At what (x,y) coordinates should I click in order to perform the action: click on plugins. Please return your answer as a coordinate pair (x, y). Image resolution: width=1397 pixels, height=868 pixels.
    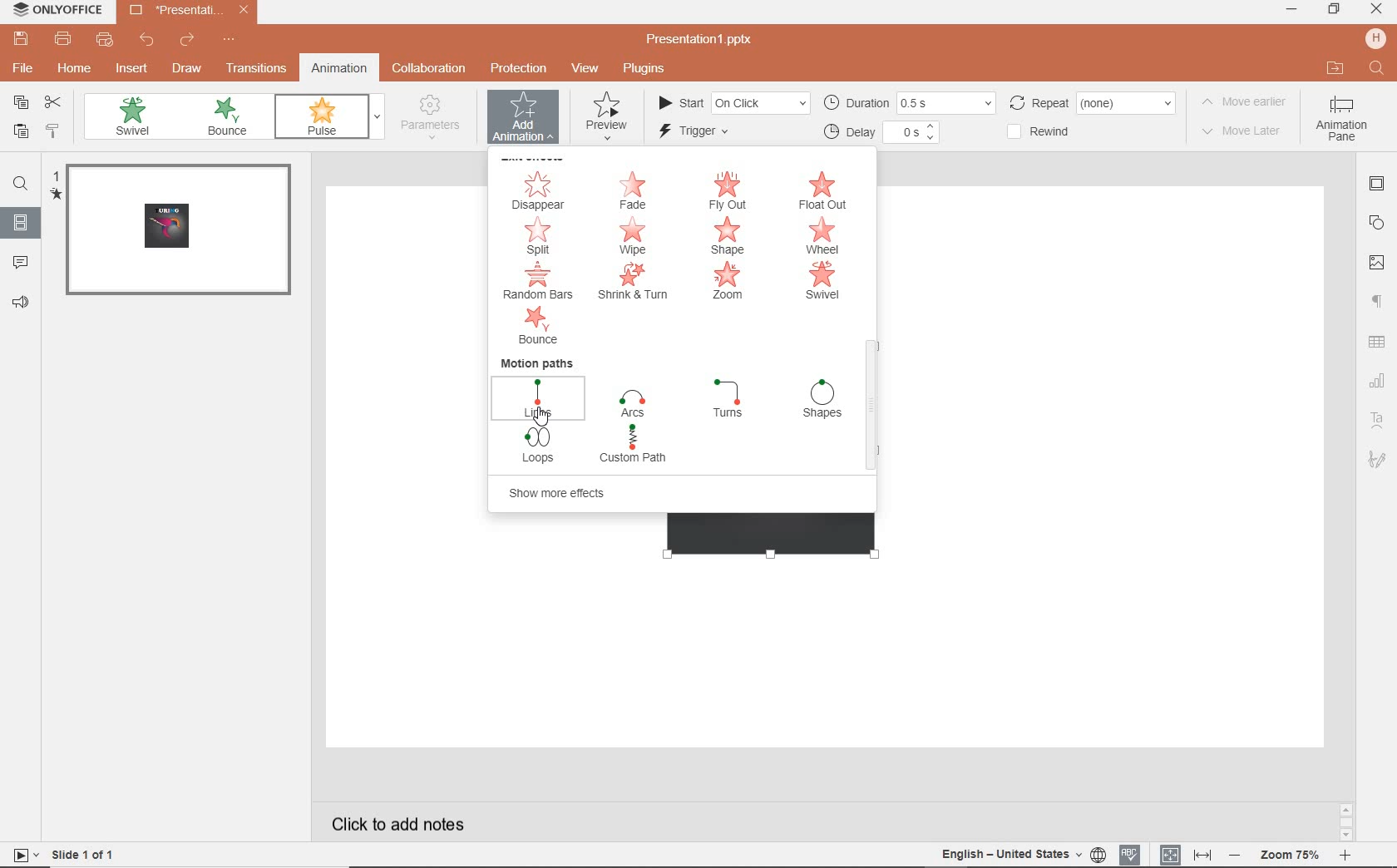
    Looking at the image, I should click on (645, 70).